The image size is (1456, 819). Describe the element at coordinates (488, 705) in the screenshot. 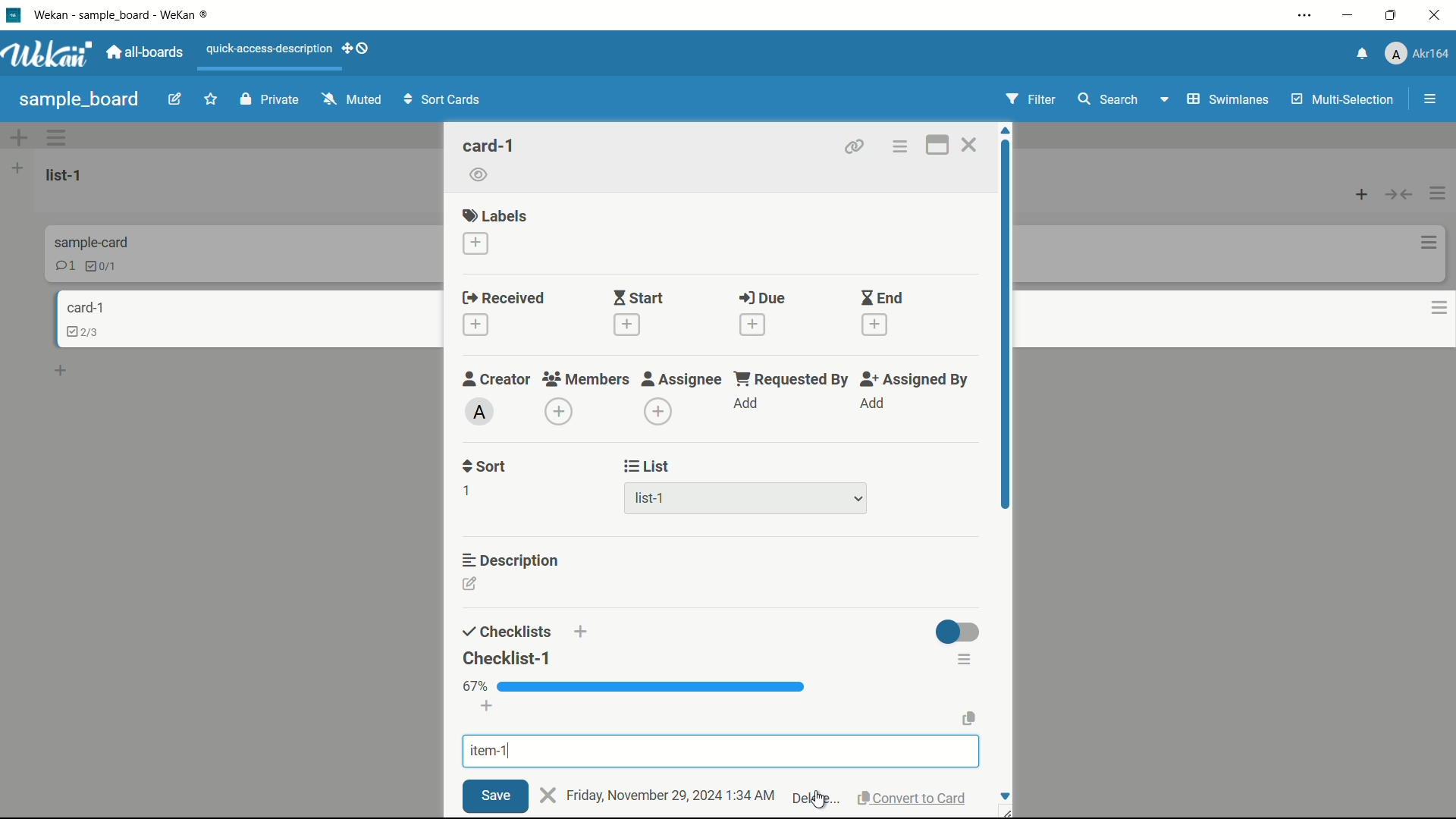

I see `add item` at that location.